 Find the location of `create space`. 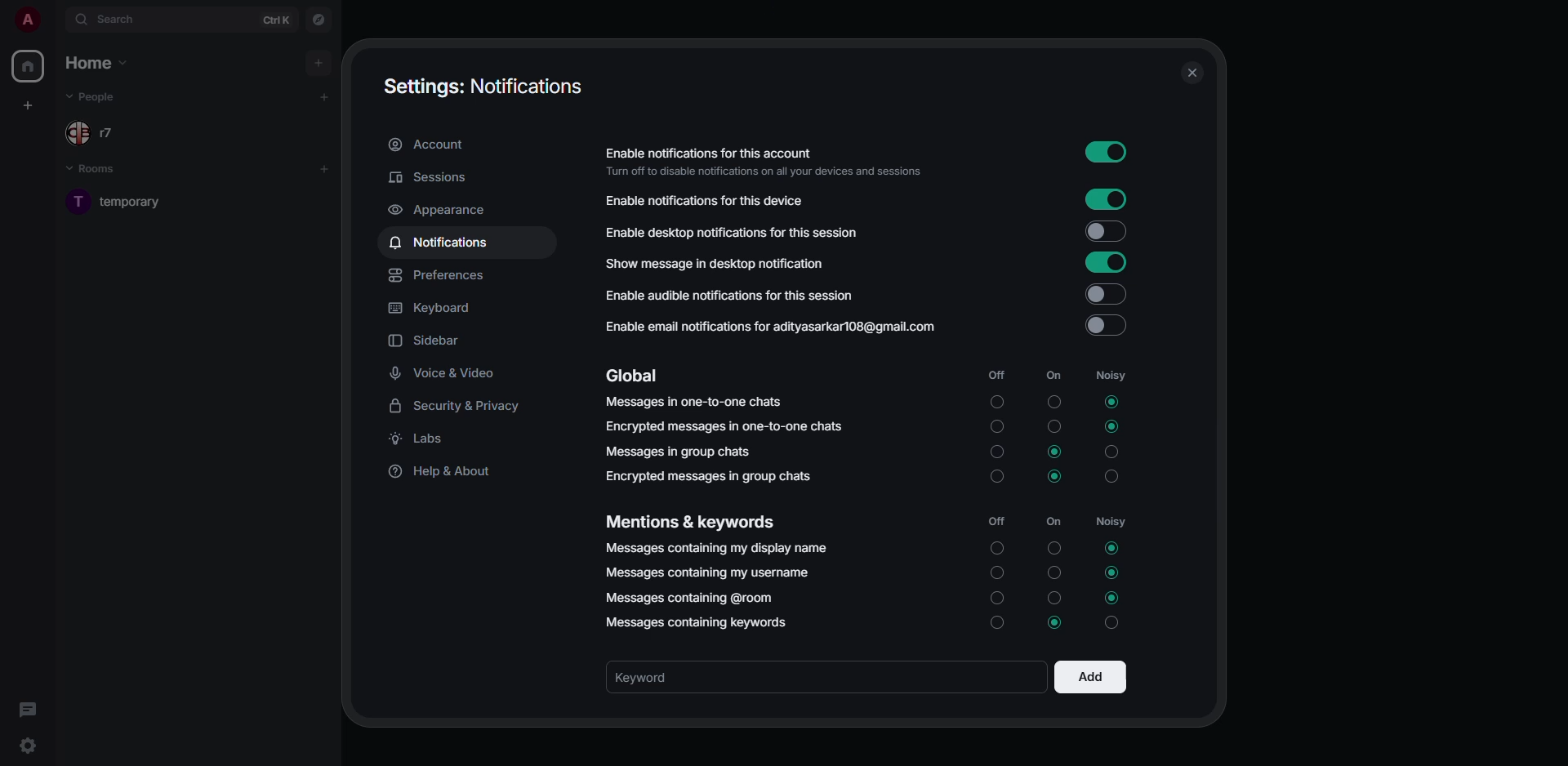

create space is located at coordinates (27, 107).